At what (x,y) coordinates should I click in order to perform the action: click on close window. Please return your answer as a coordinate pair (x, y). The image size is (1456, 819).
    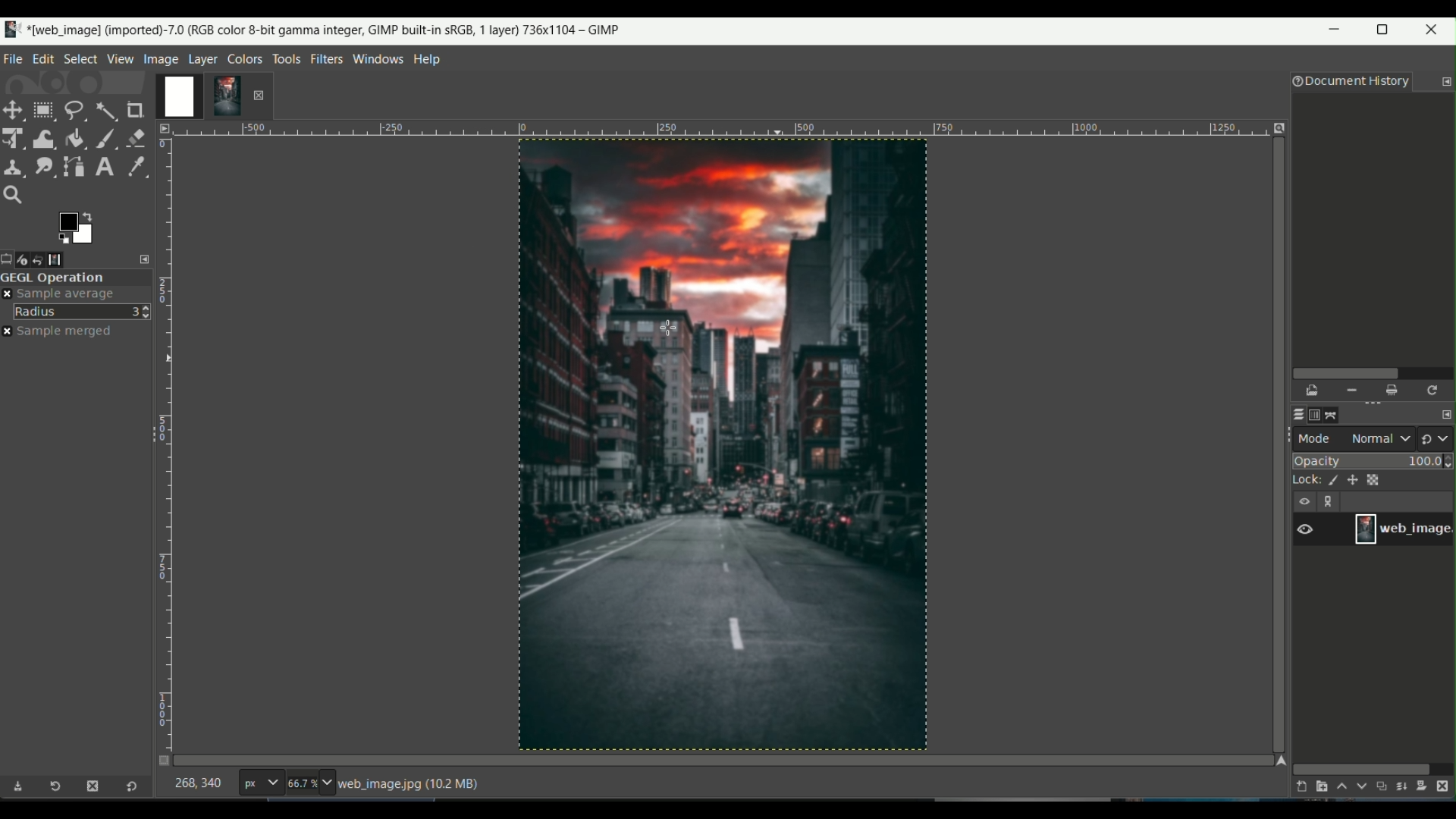
    Looking at the image, I should click on (1435, 32).